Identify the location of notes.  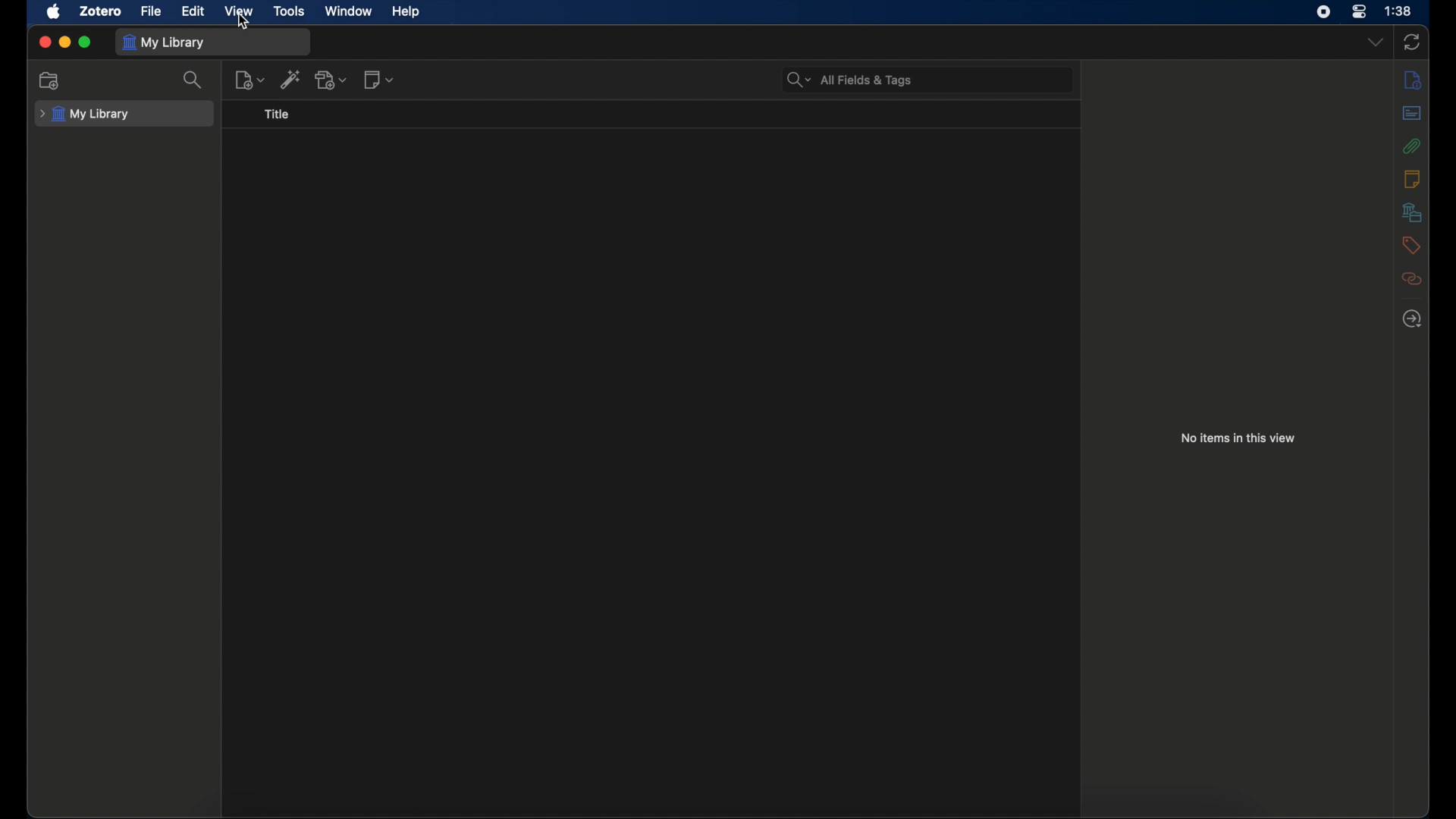
(1411, 179).